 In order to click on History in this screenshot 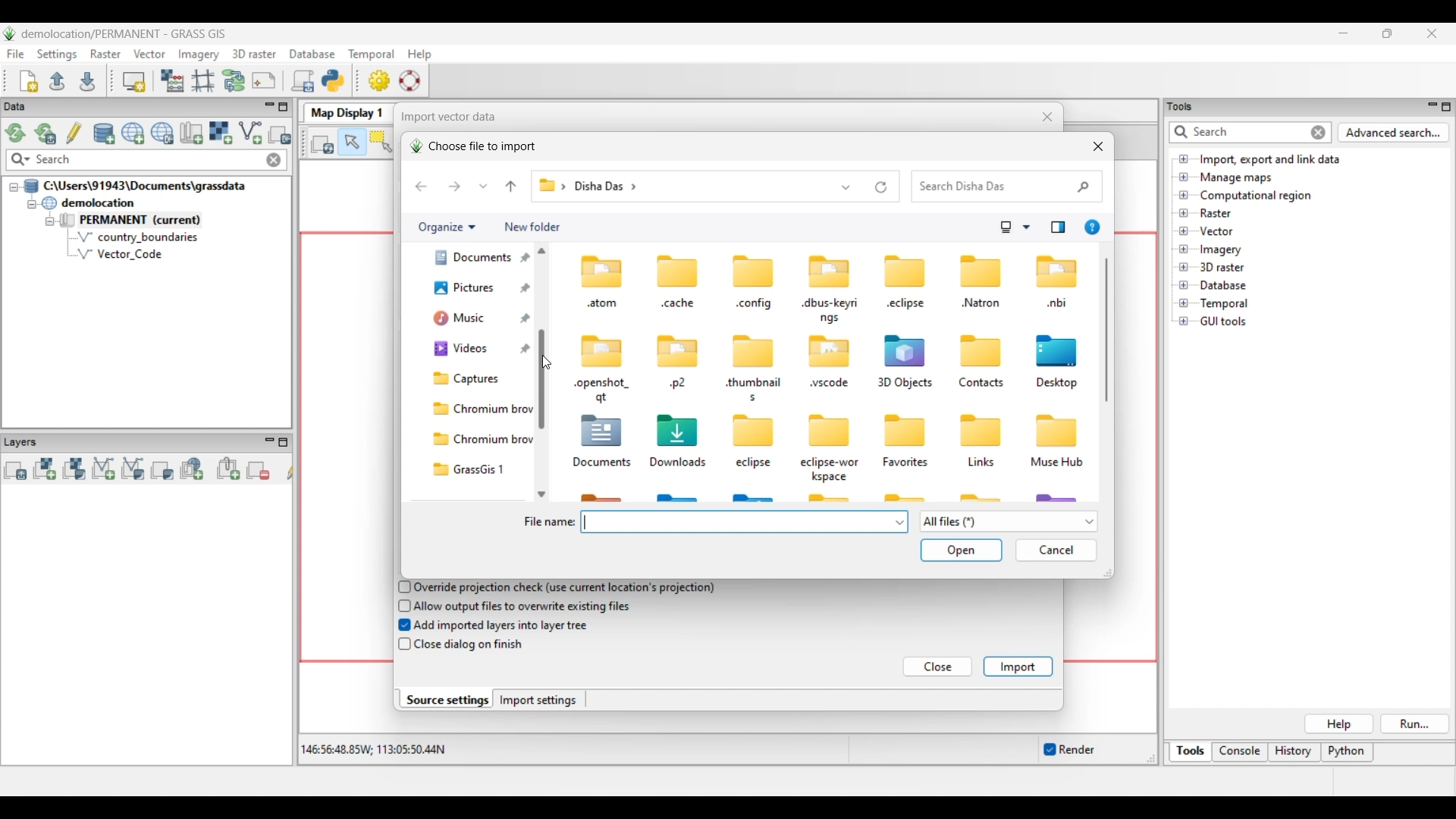, I will do `click(1294, 752)`.